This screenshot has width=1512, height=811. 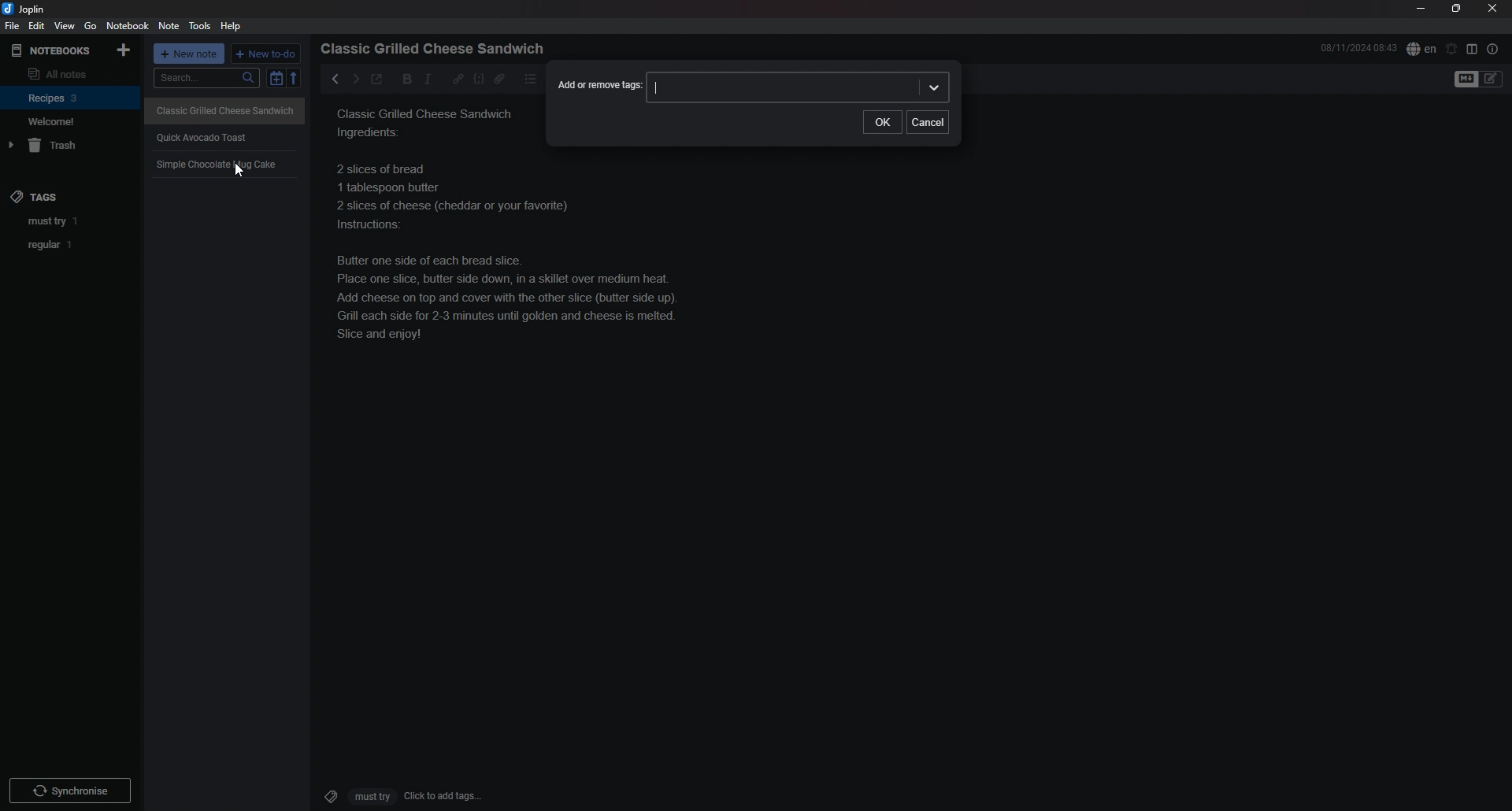 I want to click on all notes, so click(x=68, y=73).